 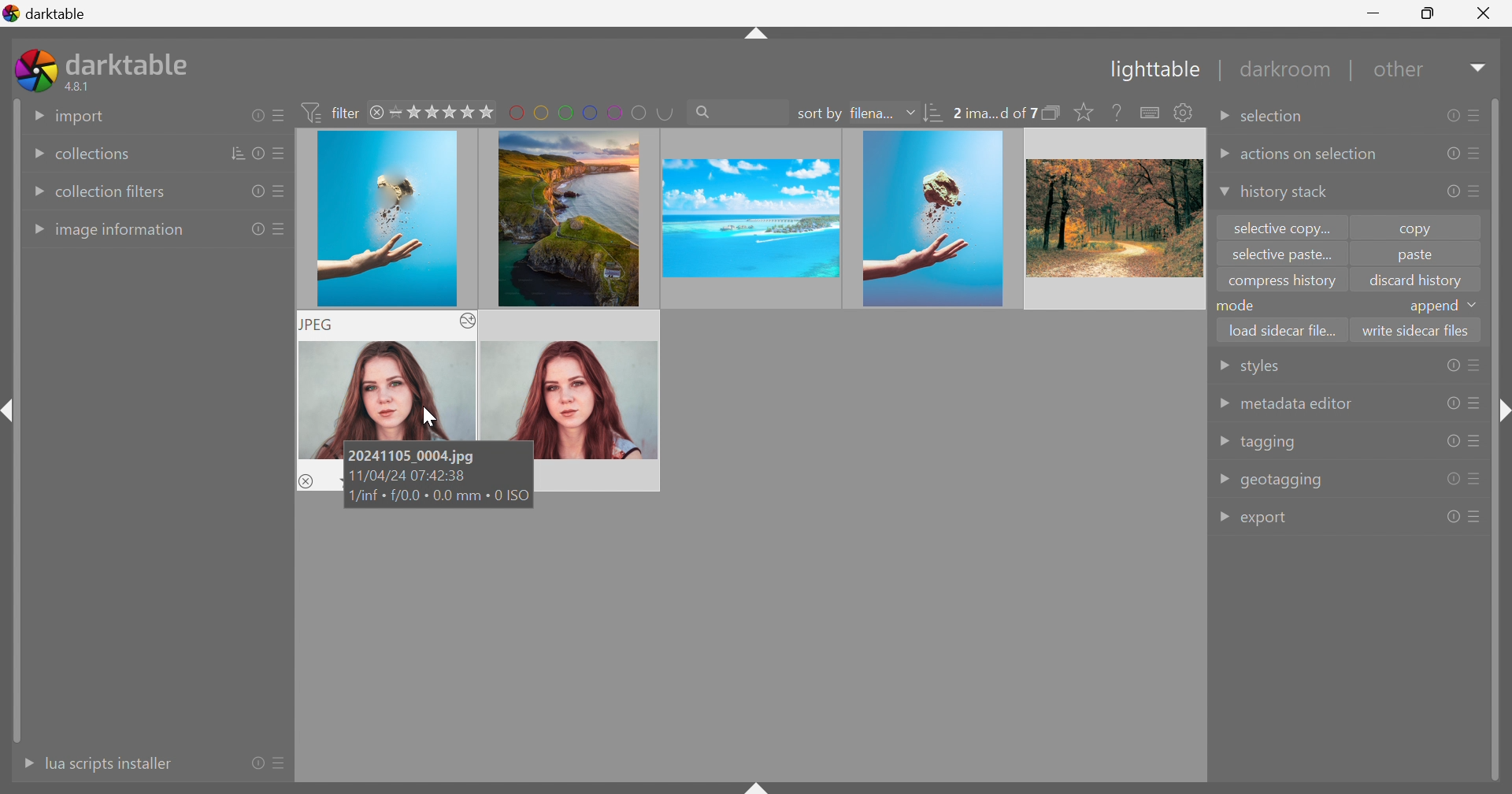 What do you see at coordinates (1224, 441) in the screenshot?
I see `Drop Down` at bounding box center [1224, 441].